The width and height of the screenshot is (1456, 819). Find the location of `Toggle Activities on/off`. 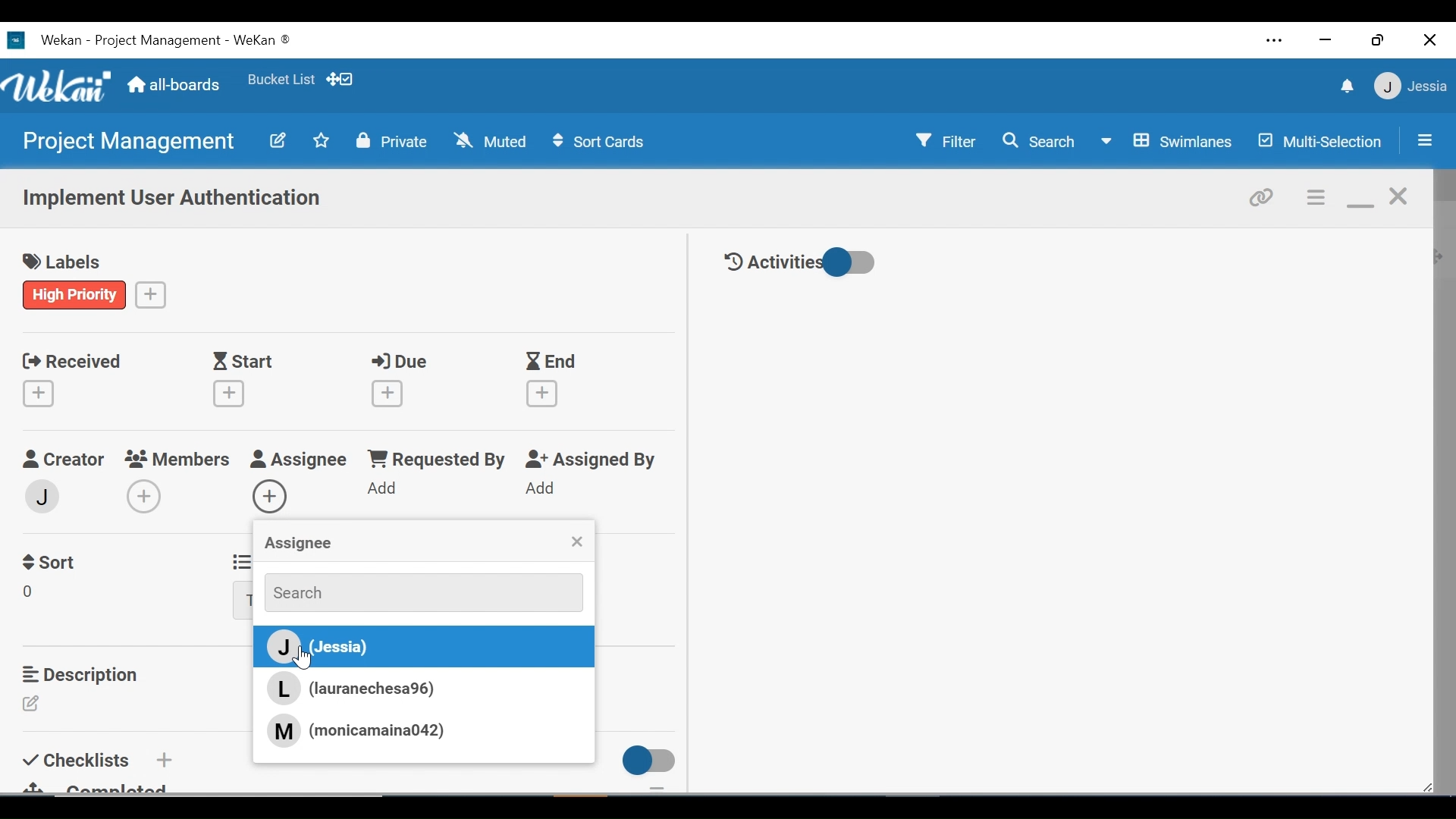

Toggle Activities on/off is located at coordinates (800, 263).